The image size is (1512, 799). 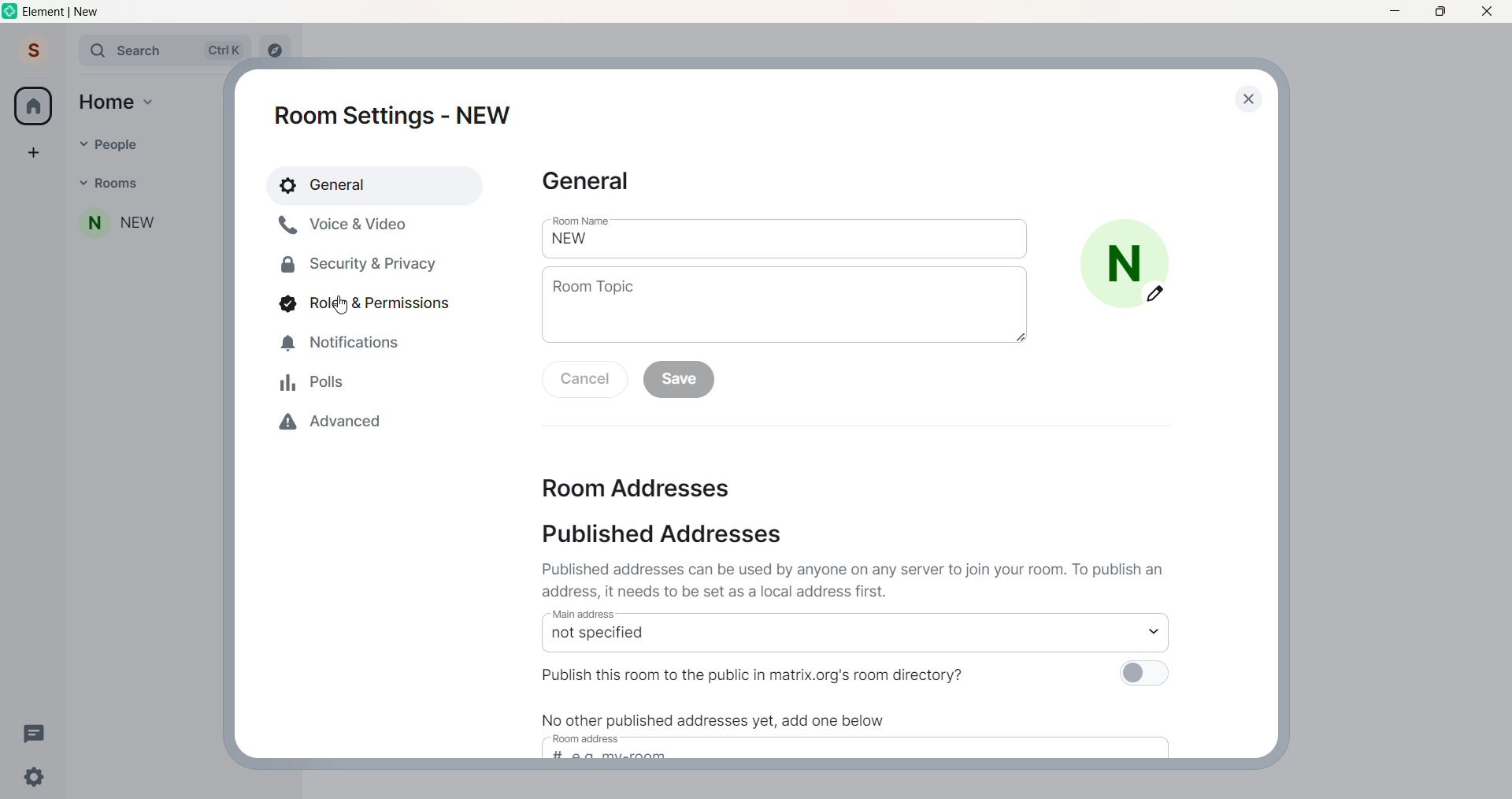 What do you see at coordinates (1245, 98) in the screenshot?
I see `close dialog` at bounding box center [1245, 98].